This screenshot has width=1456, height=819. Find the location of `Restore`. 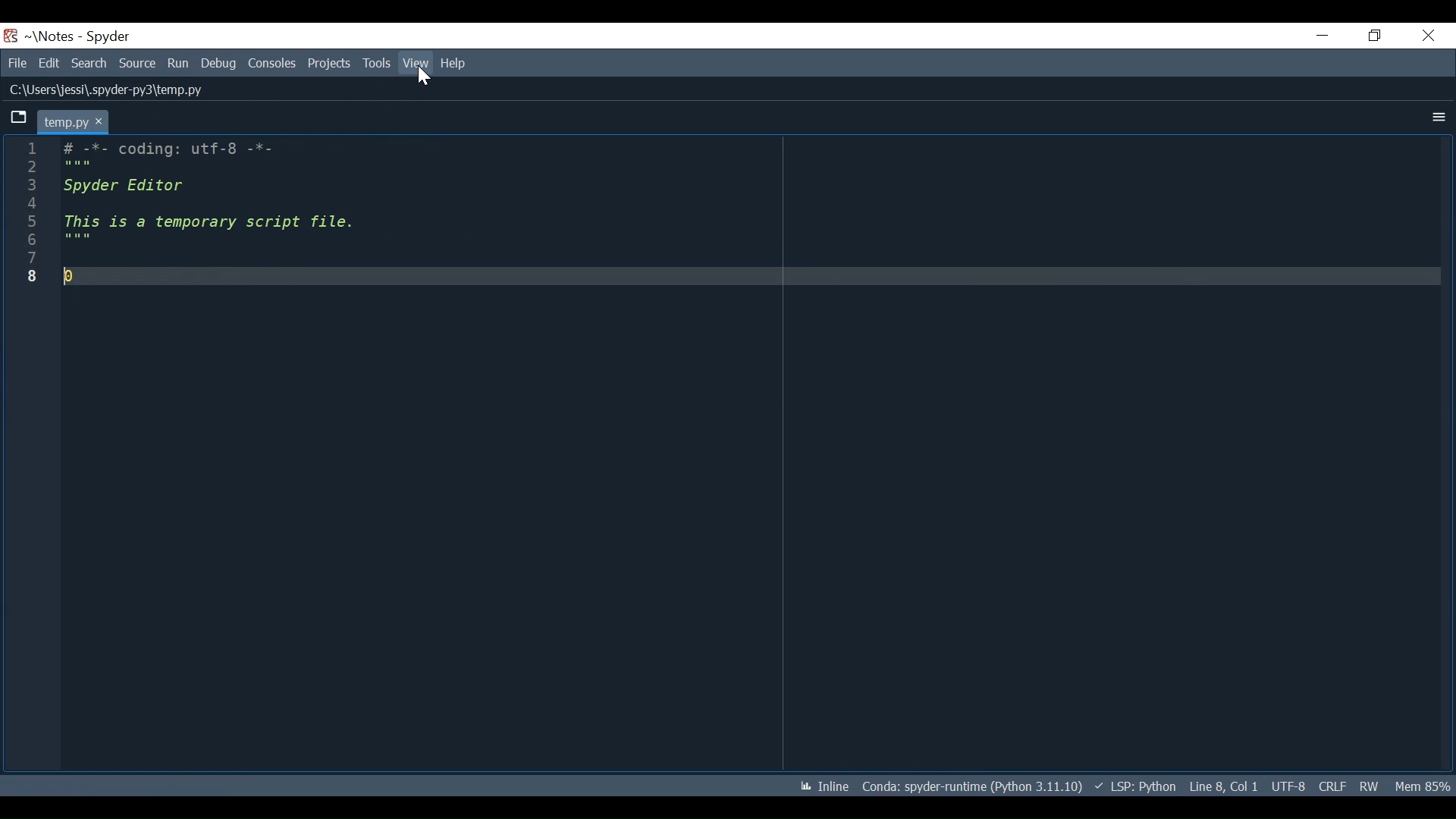

Restore is located at coordinates (1373, 36).